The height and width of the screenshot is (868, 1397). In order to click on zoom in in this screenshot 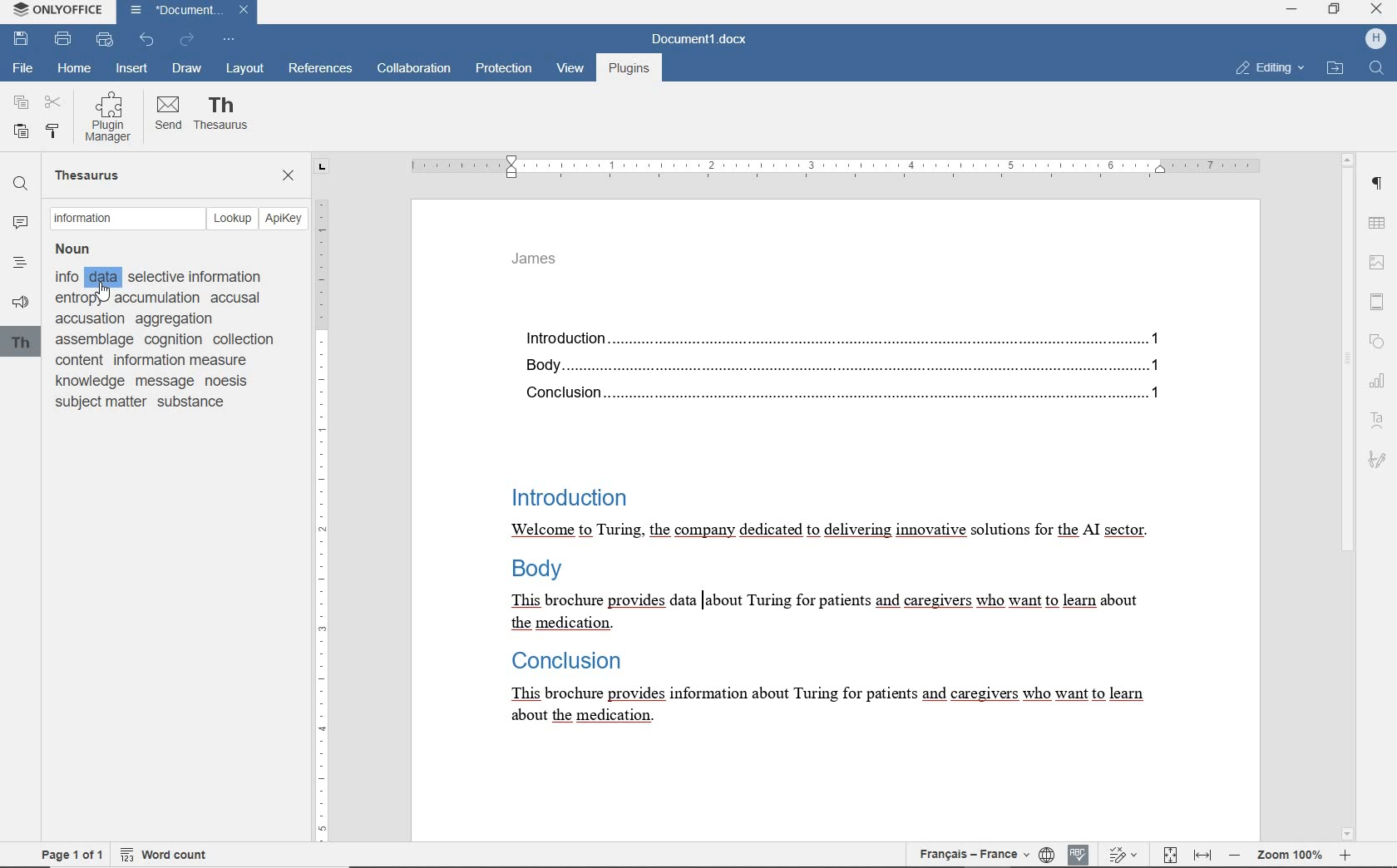, I will do `click(1348, 856)`.